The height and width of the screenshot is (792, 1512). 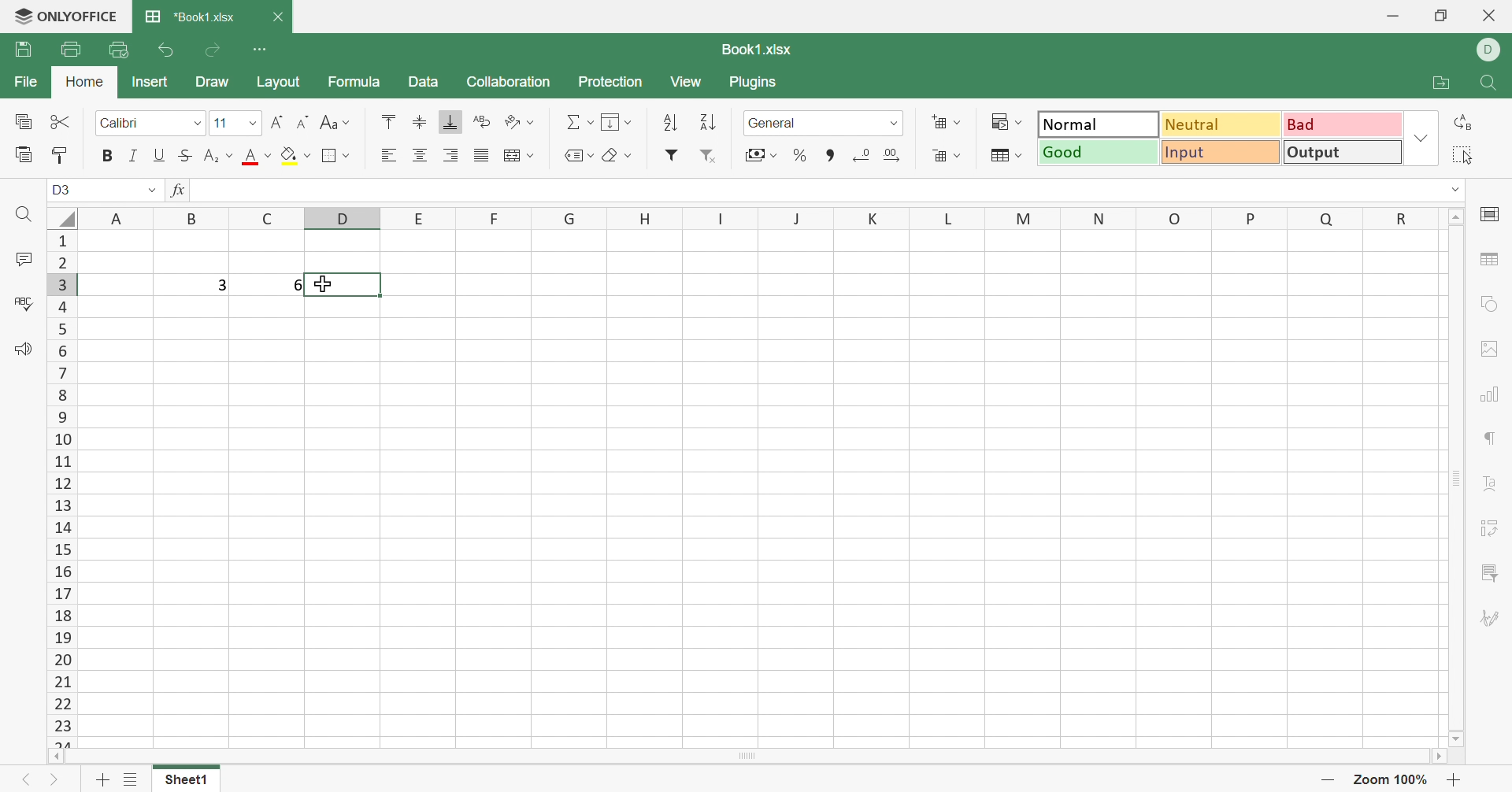 What do you see at coordinates (1491, 48) in the screenshot?
I see `DELL` at bounding box center [1491, 48].